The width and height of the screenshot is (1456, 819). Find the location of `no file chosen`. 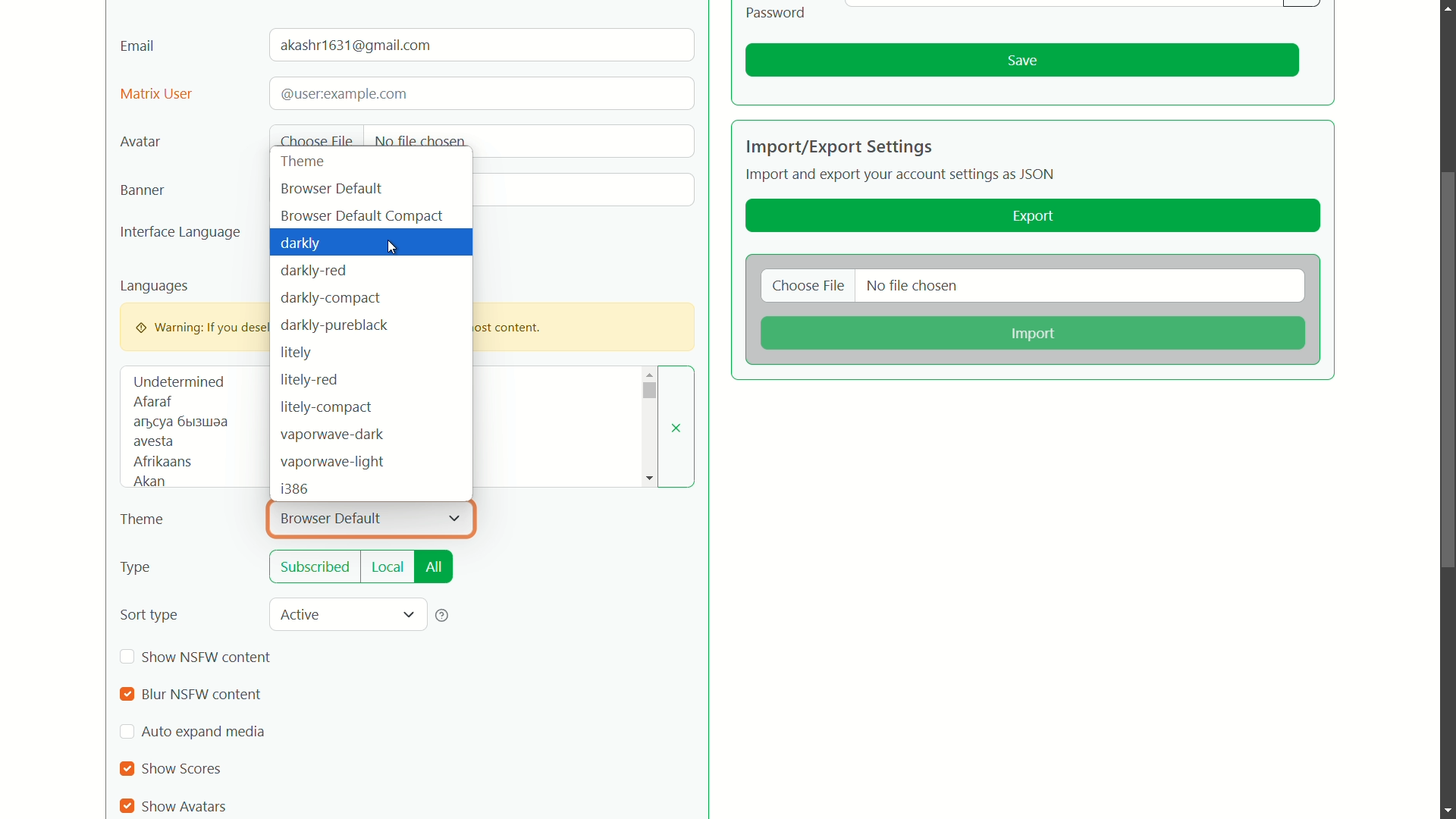

no file chosen is located at coordinates (420, 140).